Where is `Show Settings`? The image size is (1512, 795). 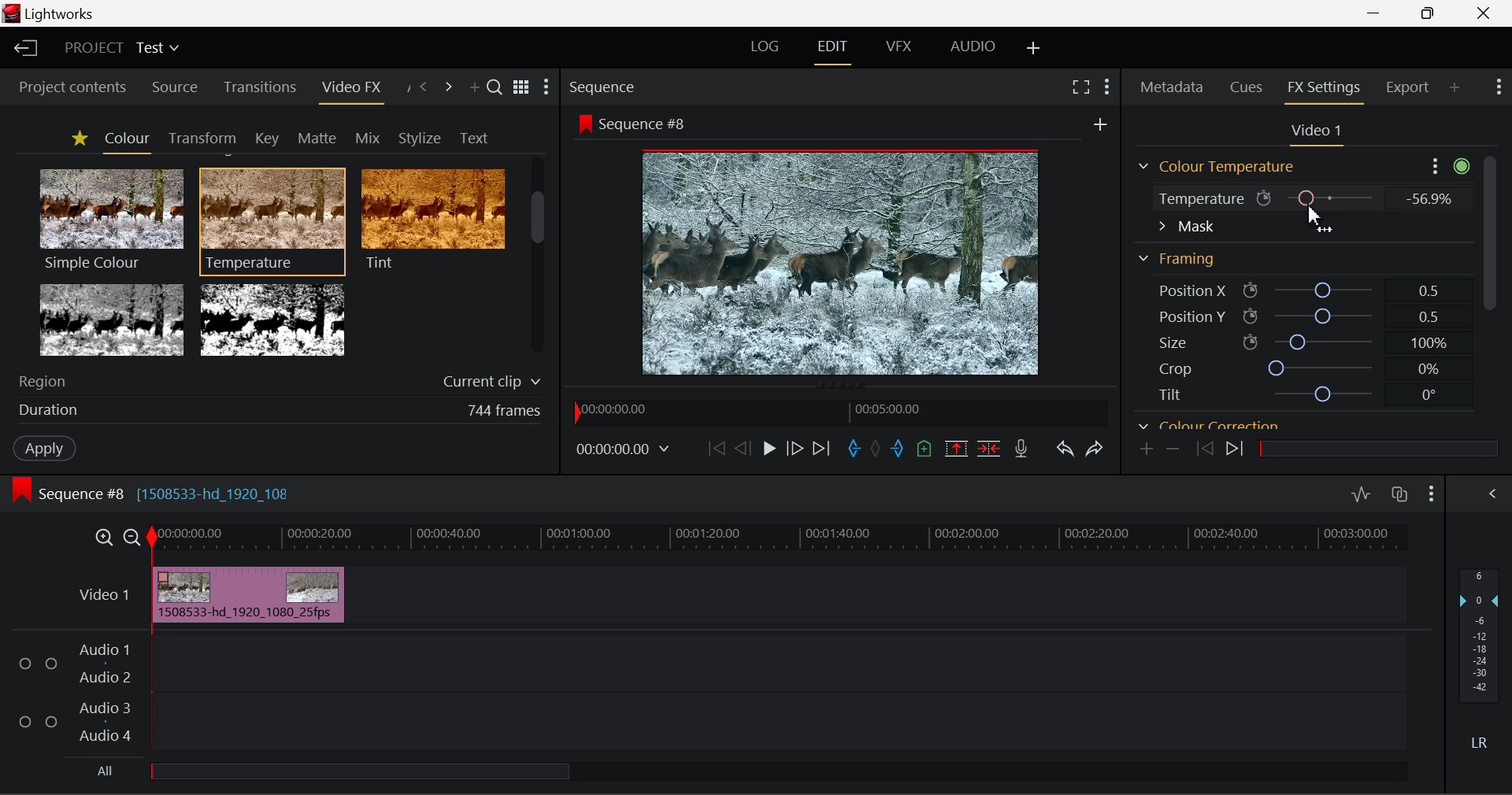 Show Settings is located at coordinates (1492, 494).